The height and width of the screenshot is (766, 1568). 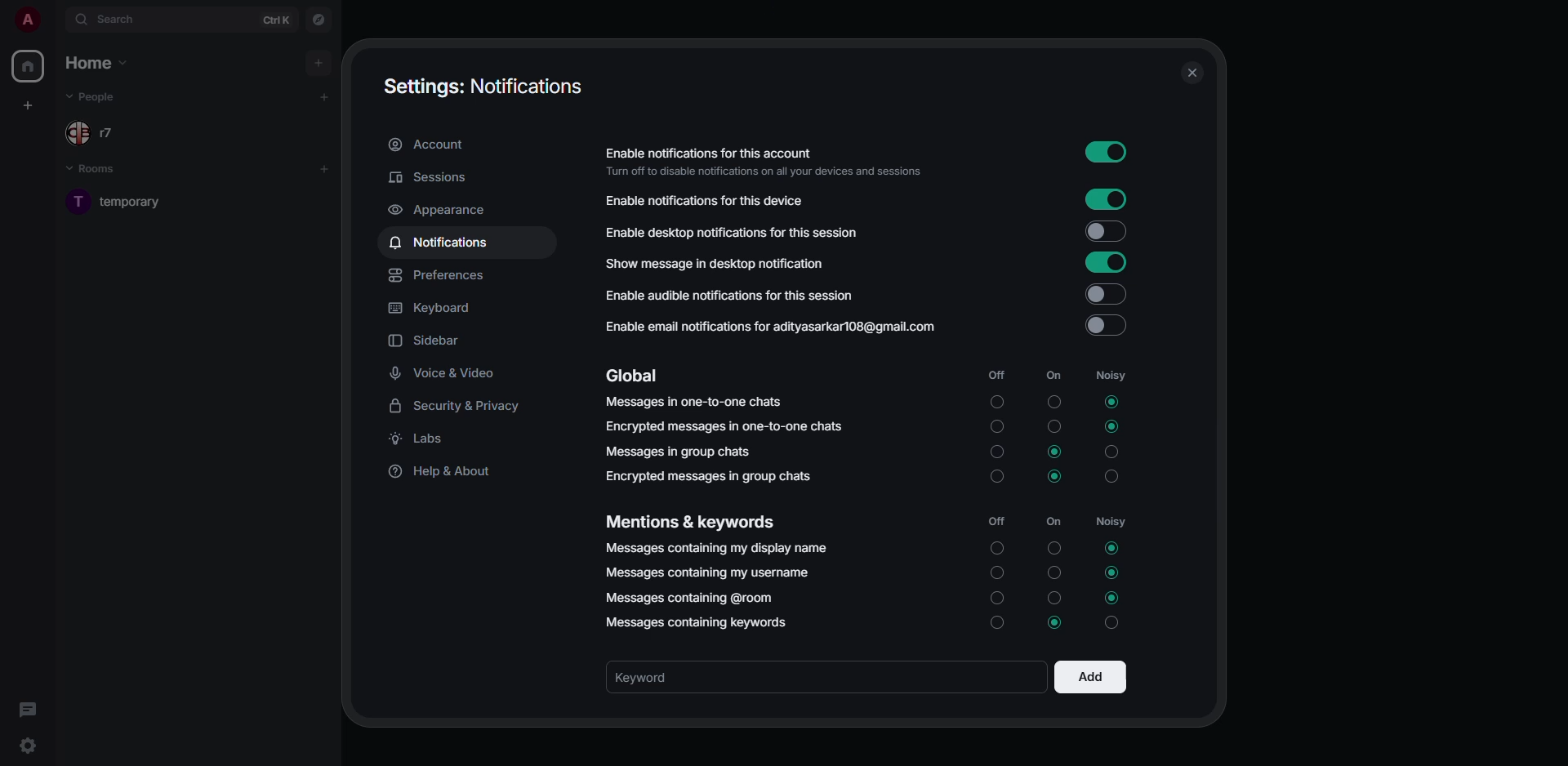 What do you see at coordinates (996, 374) in the screenshot?
I see `off` at bounding box center [996, 374].